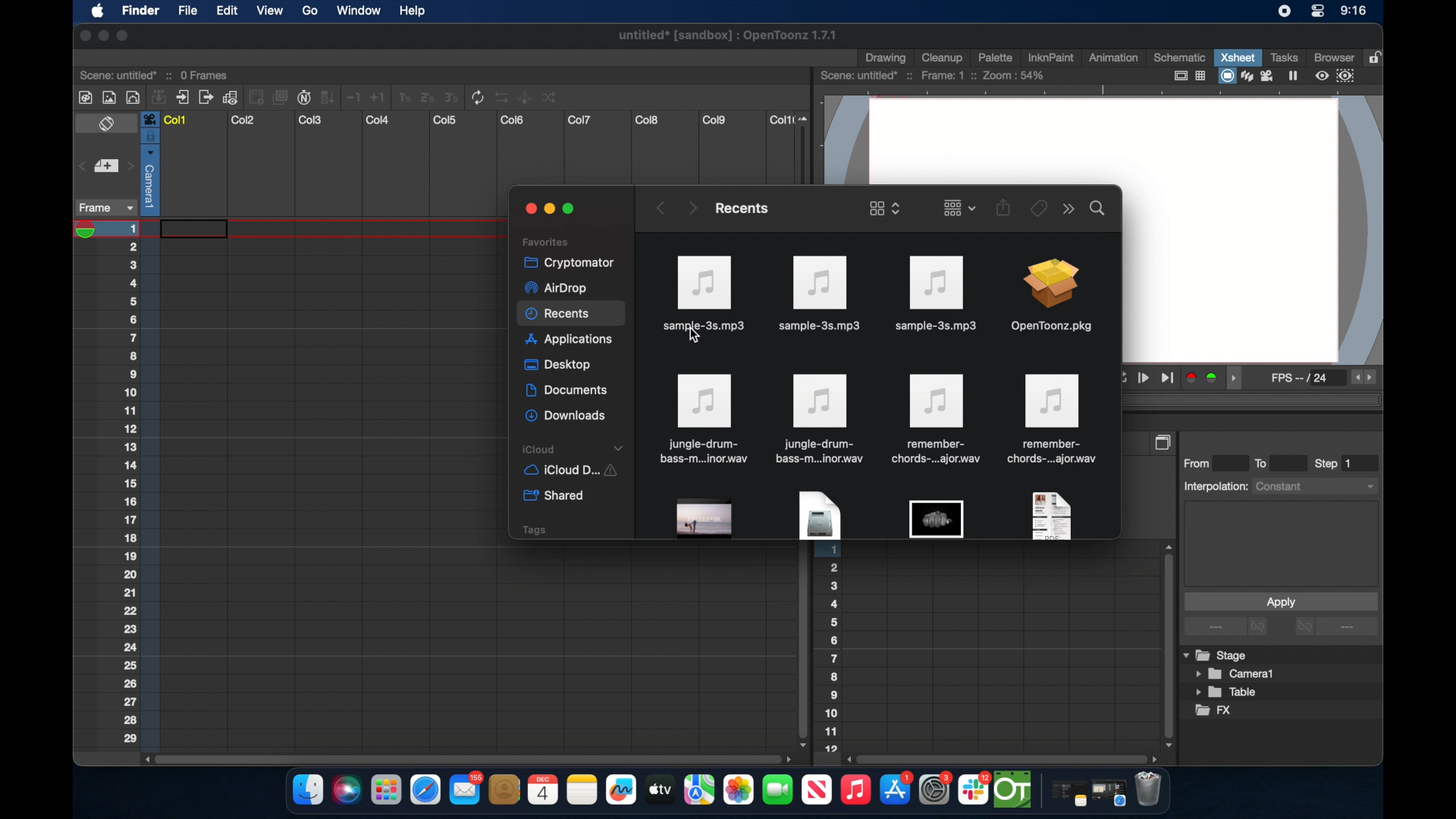 Image resolution: width=1456 pixels, height=819 pixels. I want to click on freeform, so click(622, 790).